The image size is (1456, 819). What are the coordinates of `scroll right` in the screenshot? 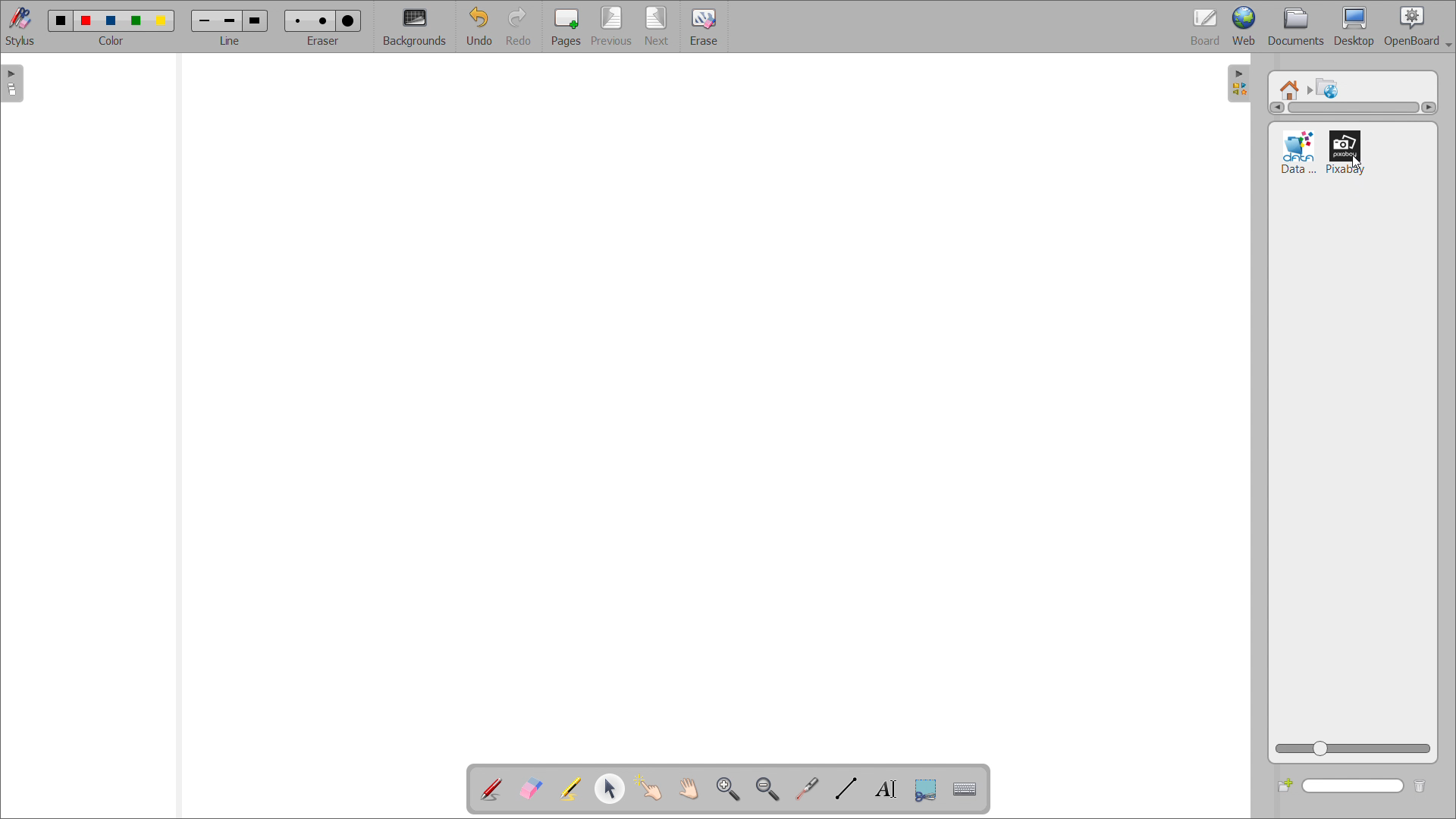 It's located at (1428, 107).